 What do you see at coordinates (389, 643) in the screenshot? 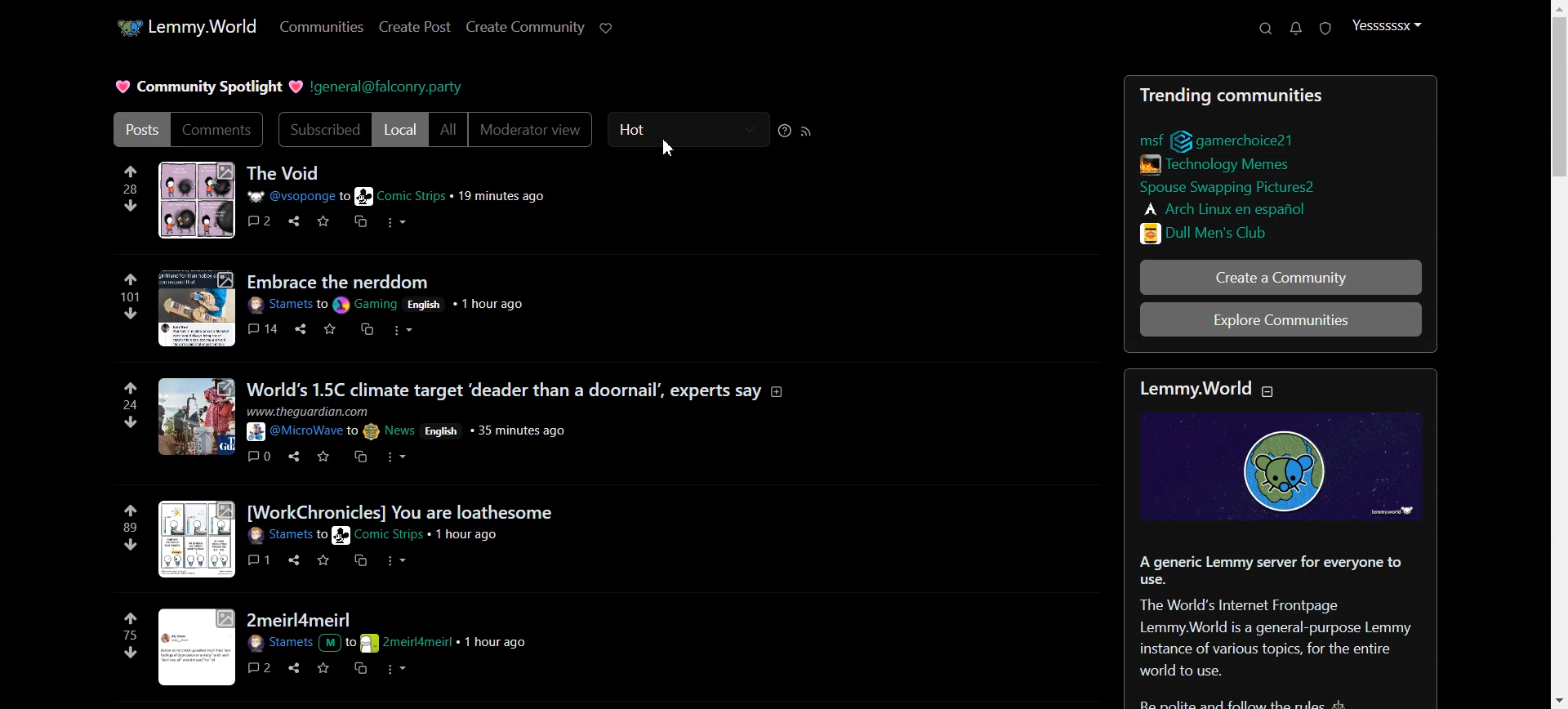
I see `post details` at bounding box center [389, 643].